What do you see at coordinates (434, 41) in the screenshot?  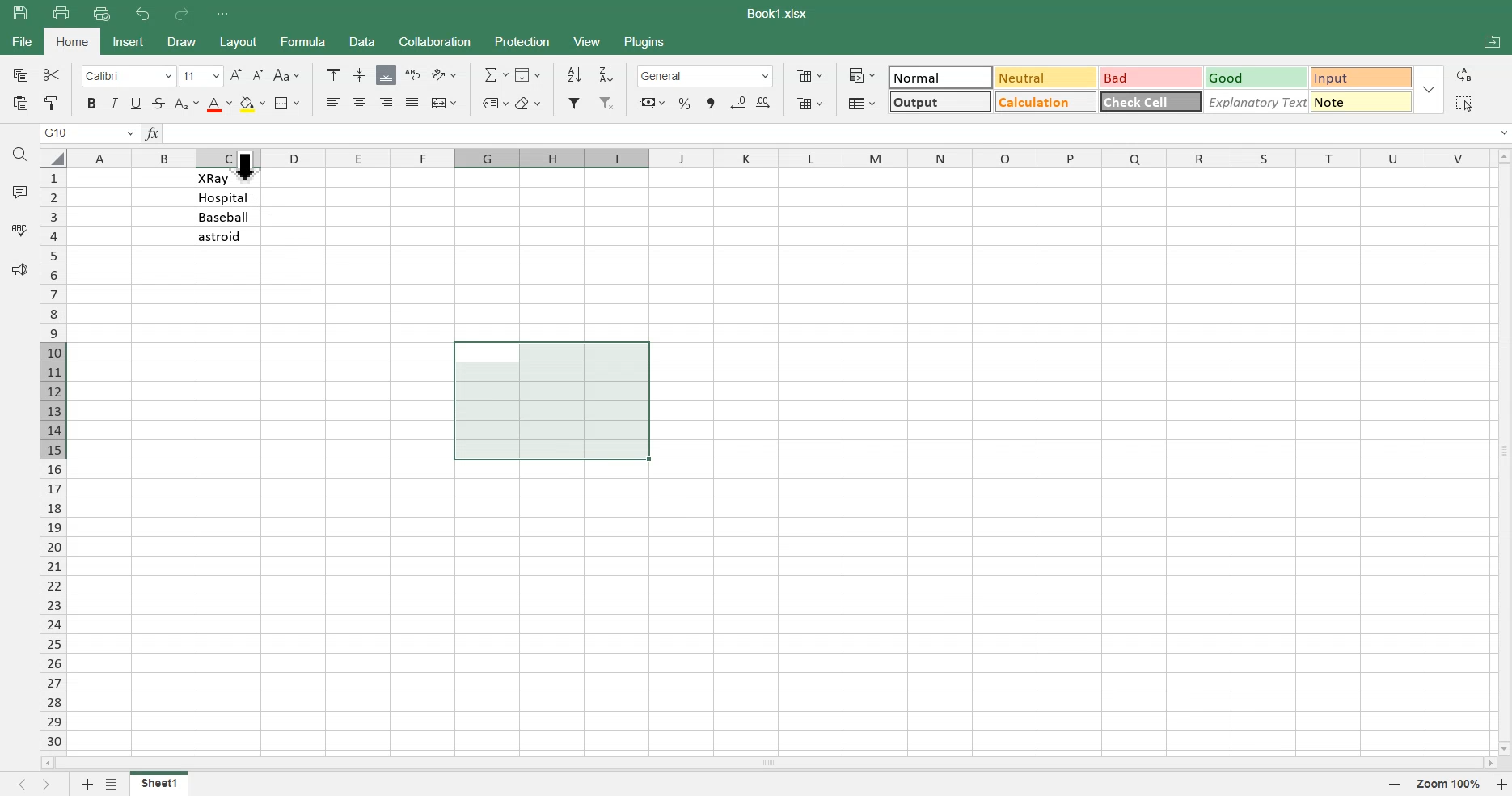 I see `Collaboration` at bounding box center [434, 41].